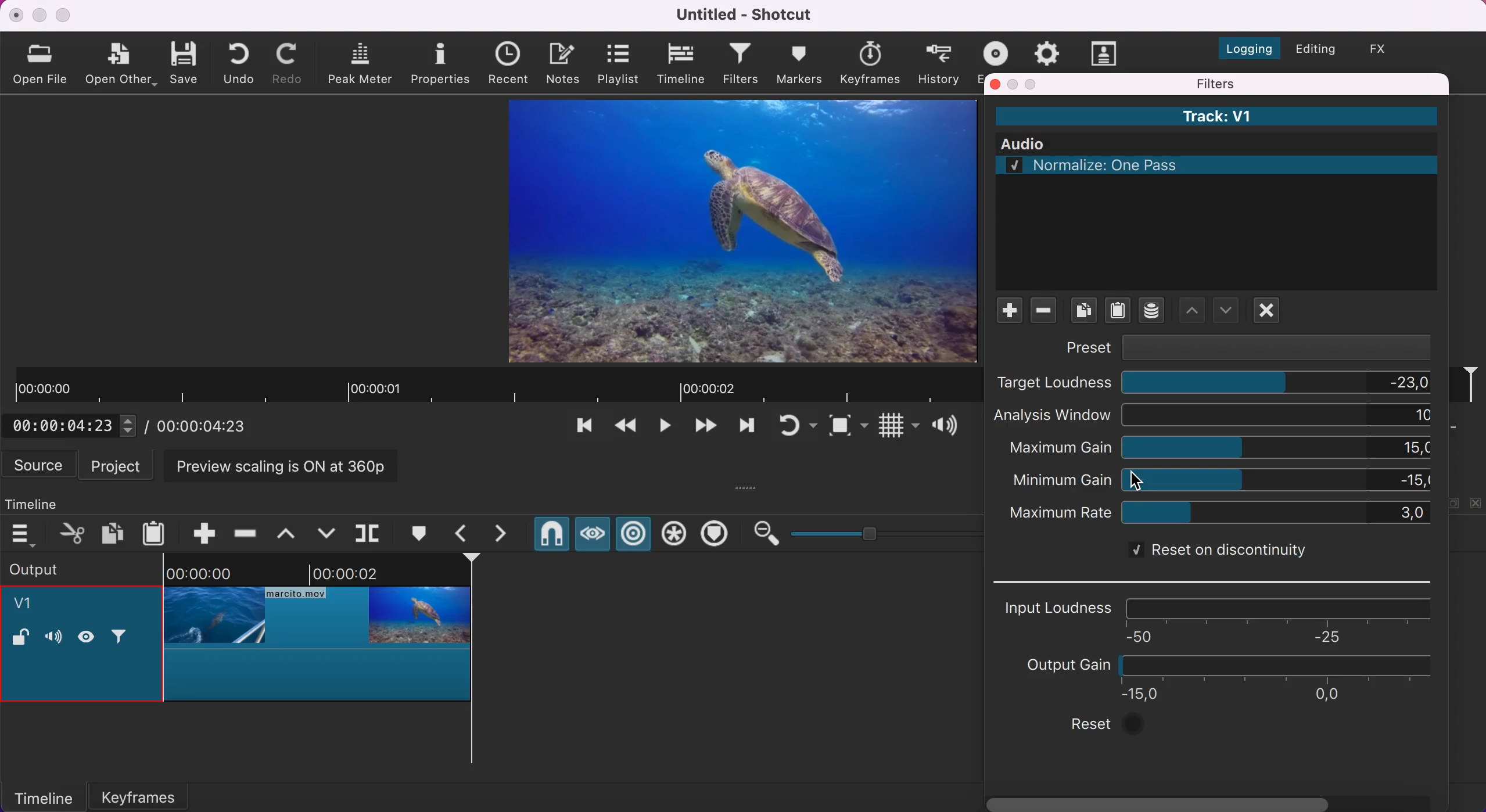 The width and height of the screenshot is (1486, 812). What do you see at coordinates (508, 534) in the screenshot?
I see `next marker` at bounding box center [508, 534].